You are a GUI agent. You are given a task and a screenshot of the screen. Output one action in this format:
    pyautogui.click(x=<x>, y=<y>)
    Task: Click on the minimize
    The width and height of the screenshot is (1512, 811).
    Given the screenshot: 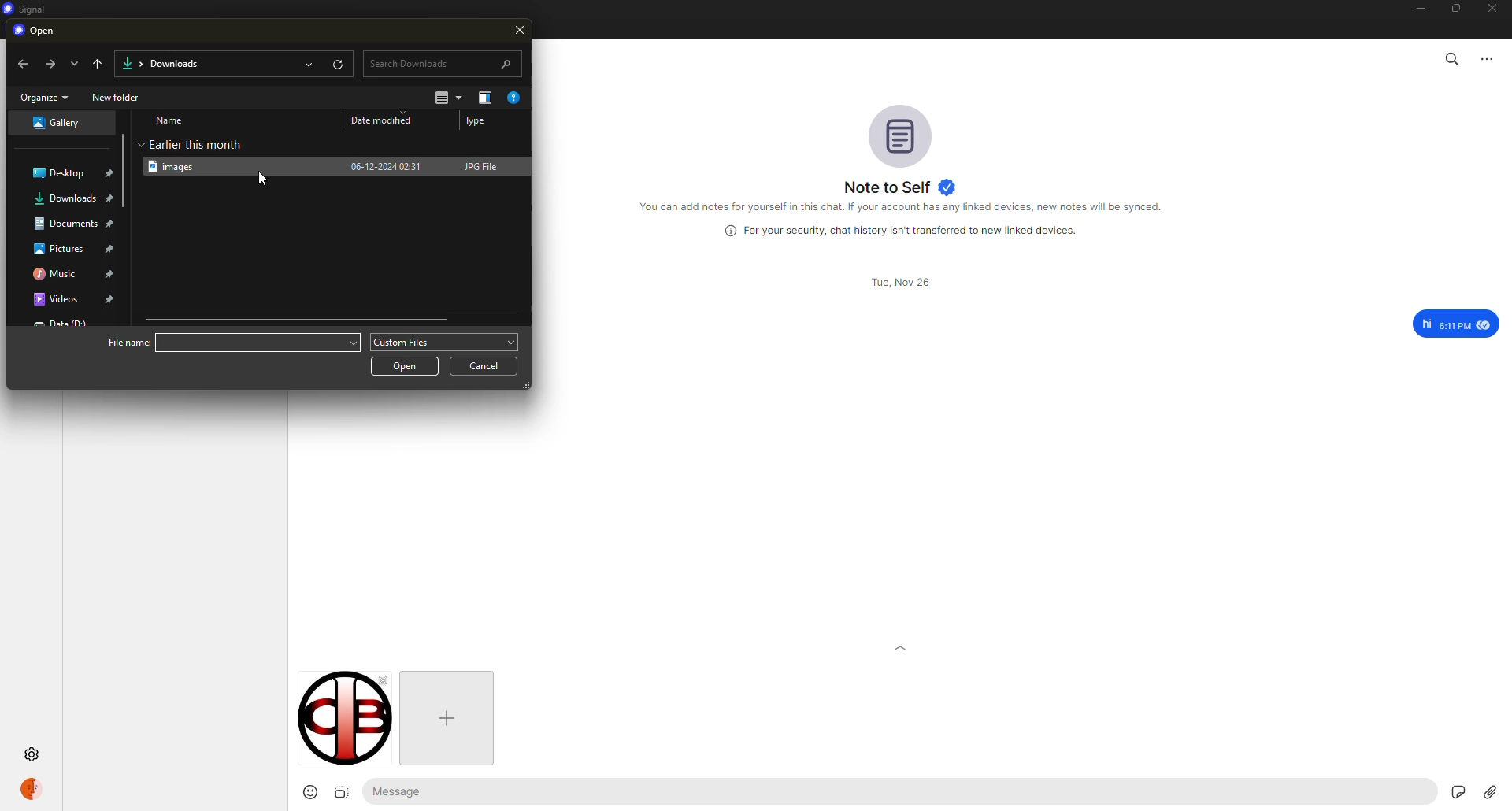 What is the action you would take?
    pyautogui.click(x=1414, y=9)
    